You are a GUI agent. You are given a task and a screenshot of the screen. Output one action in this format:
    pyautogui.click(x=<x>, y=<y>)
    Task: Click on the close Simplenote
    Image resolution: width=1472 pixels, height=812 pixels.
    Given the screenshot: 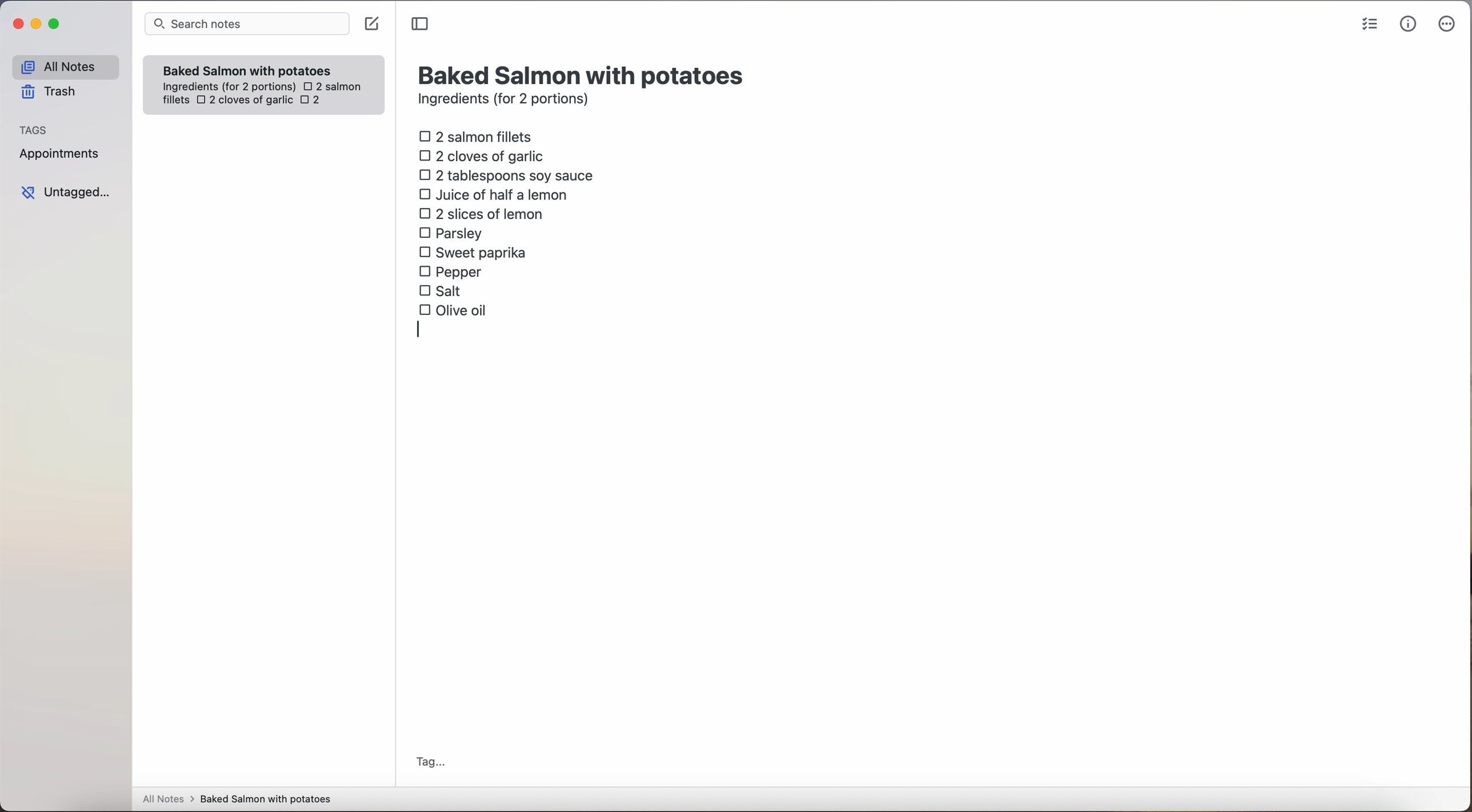 What is the action you would take?
    pyautogui.click(x=17, y=25)
    